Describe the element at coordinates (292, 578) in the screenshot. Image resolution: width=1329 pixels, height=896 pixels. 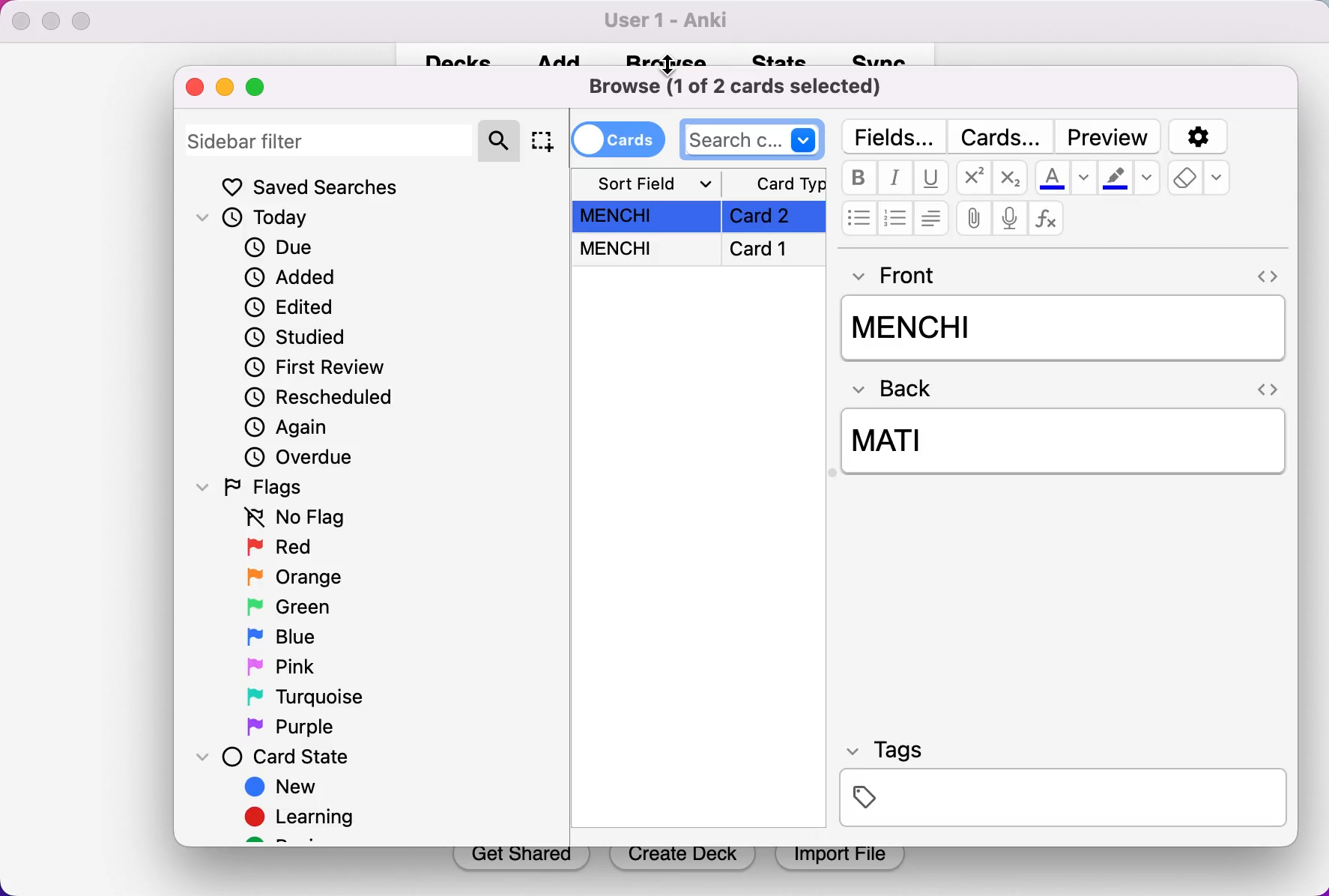
I see `orange` at that location.